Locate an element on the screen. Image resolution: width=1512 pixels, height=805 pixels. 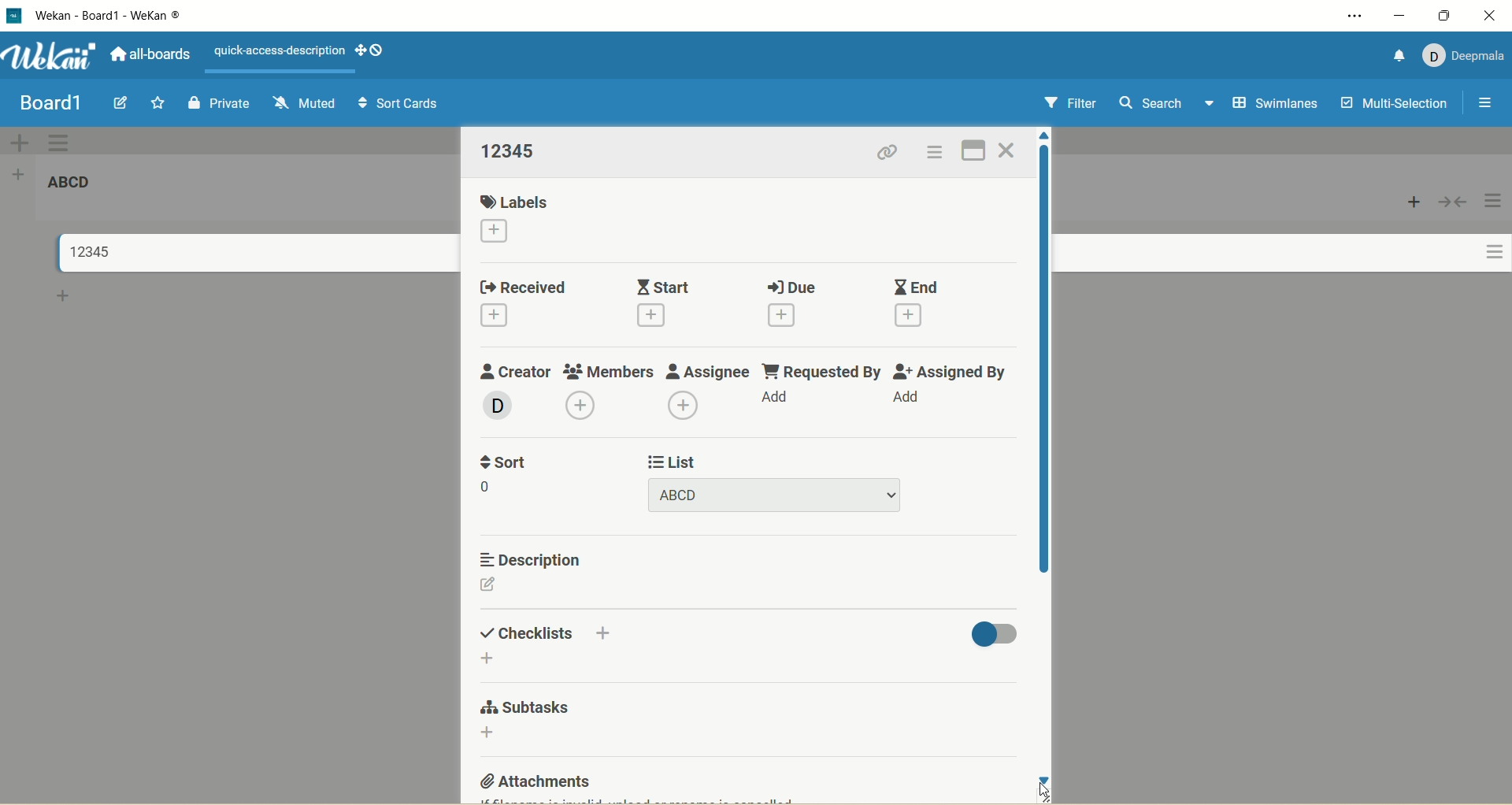
edit is located at coordinates (120, 103).